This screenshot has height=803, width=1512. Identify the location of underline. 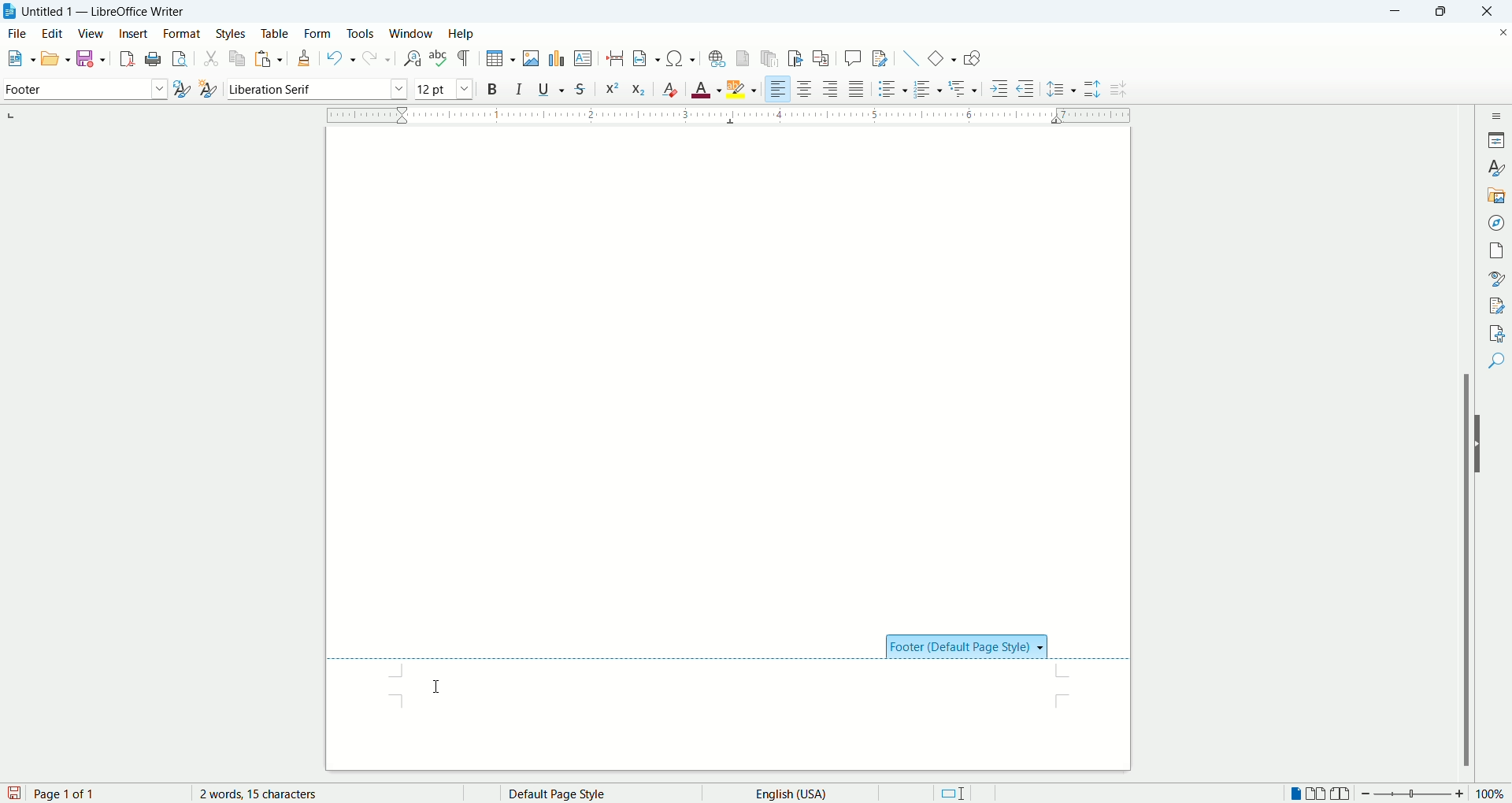
(554, 89).